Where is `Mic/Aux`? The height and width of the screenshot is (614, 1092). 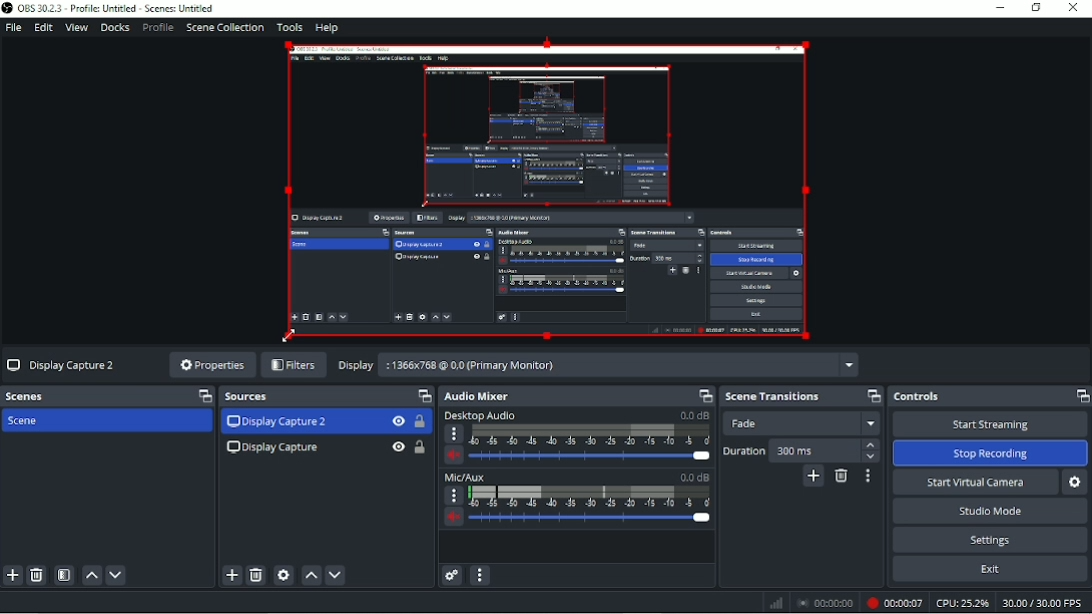 Mic/Aux is located at coordinates (466, 476).